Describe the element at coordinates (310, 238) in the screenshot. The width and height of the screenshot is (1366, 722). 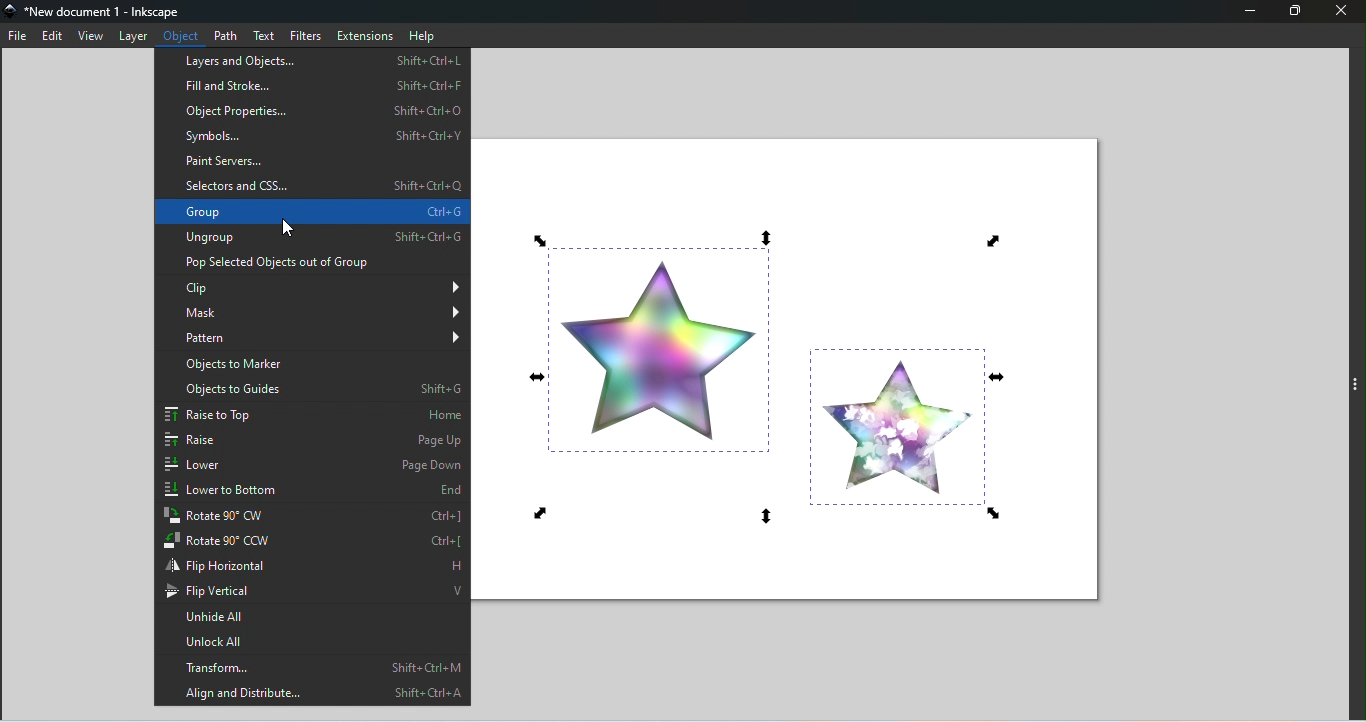
I see `Ungroup` at that location.